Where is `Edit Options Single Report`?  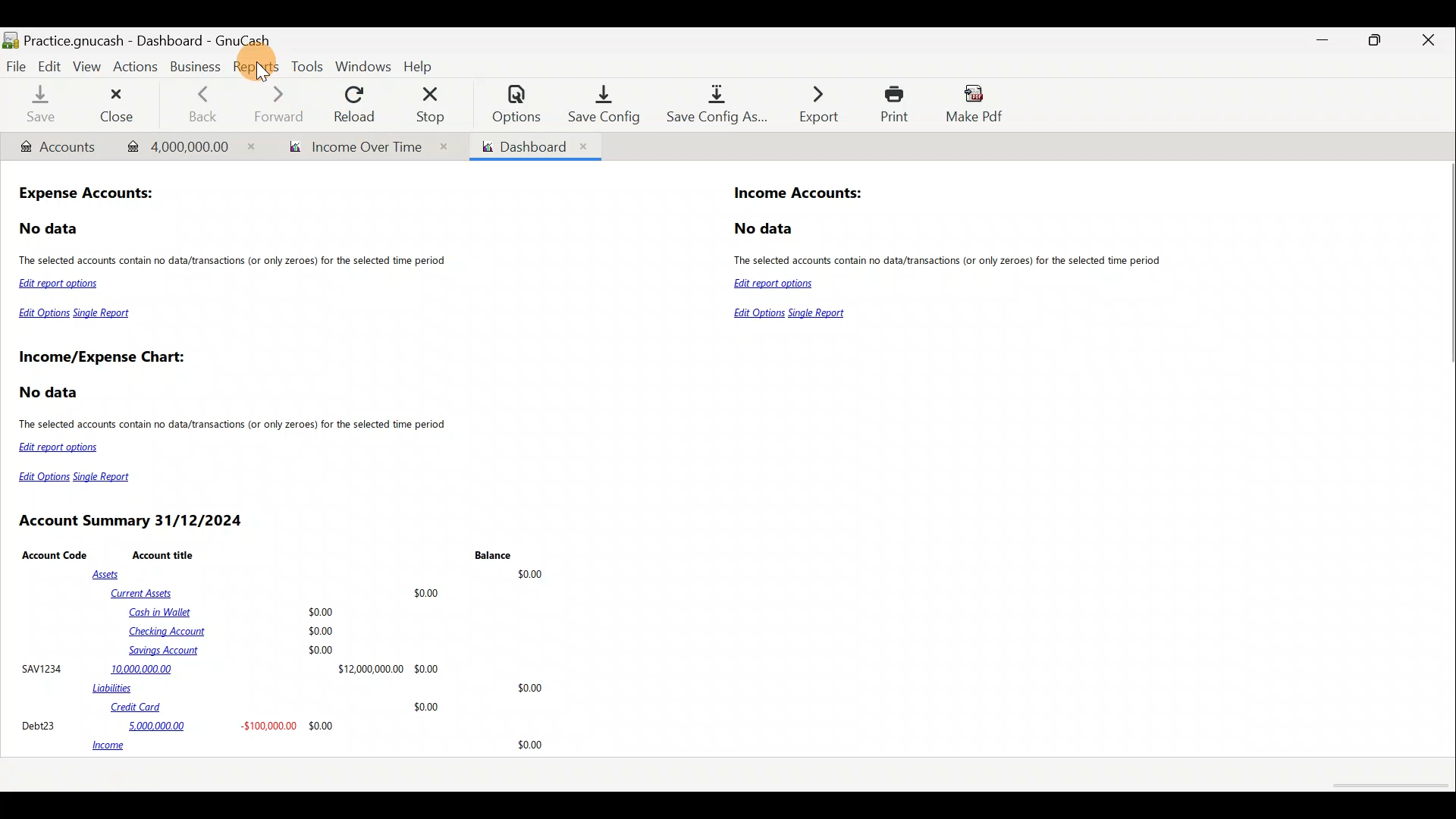 Edit Options Single Report is located at coordinates (76, 316).